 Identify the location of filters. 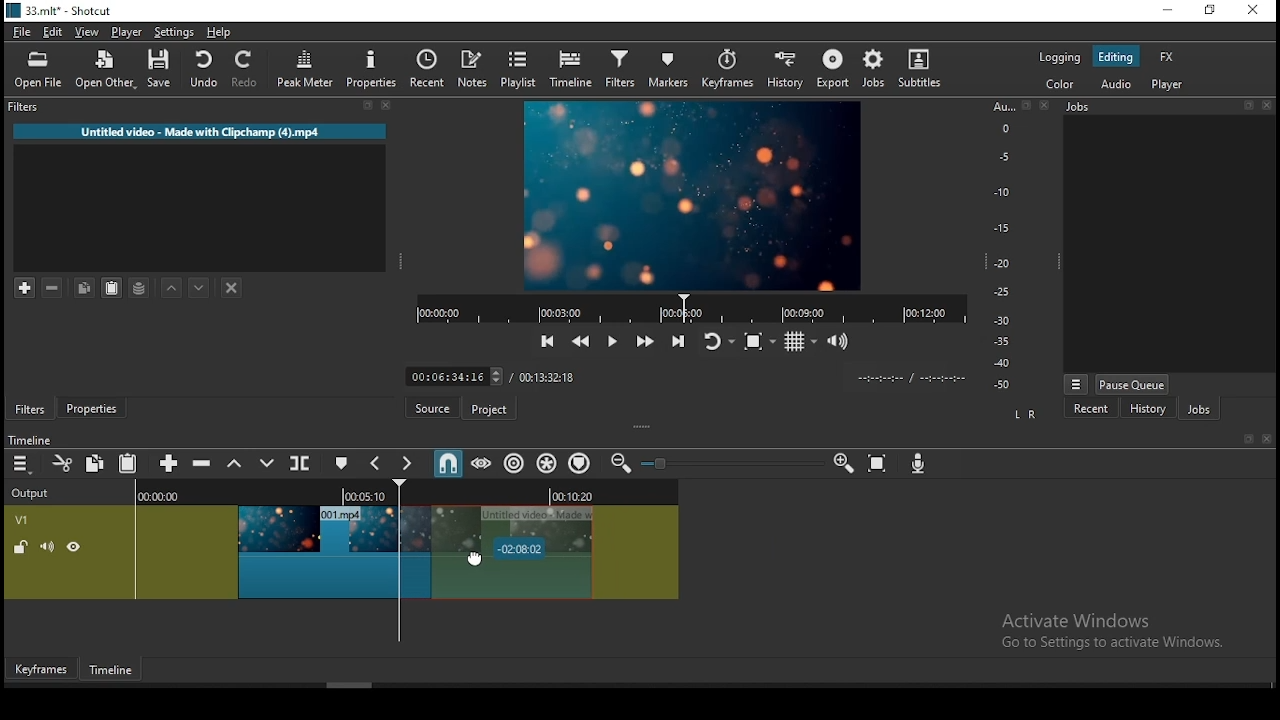
(31, 410).